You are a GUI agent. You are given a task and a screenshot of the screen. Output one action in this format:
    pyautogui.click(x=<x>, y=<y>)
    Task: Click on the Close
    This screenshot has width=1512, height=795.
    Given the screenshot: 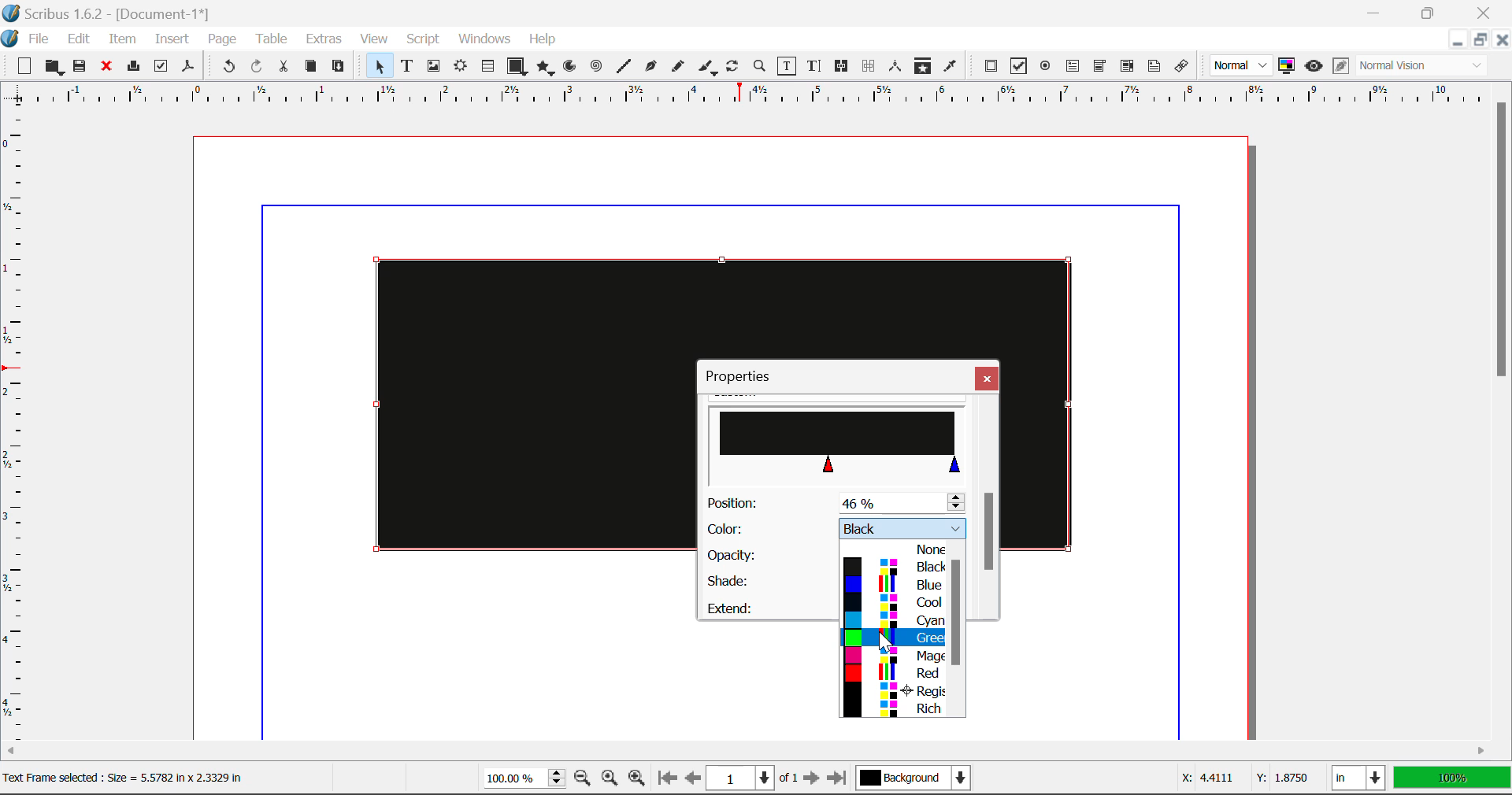 What is the action you would take?
    pyautogui.click(x=1501, y=39)
    